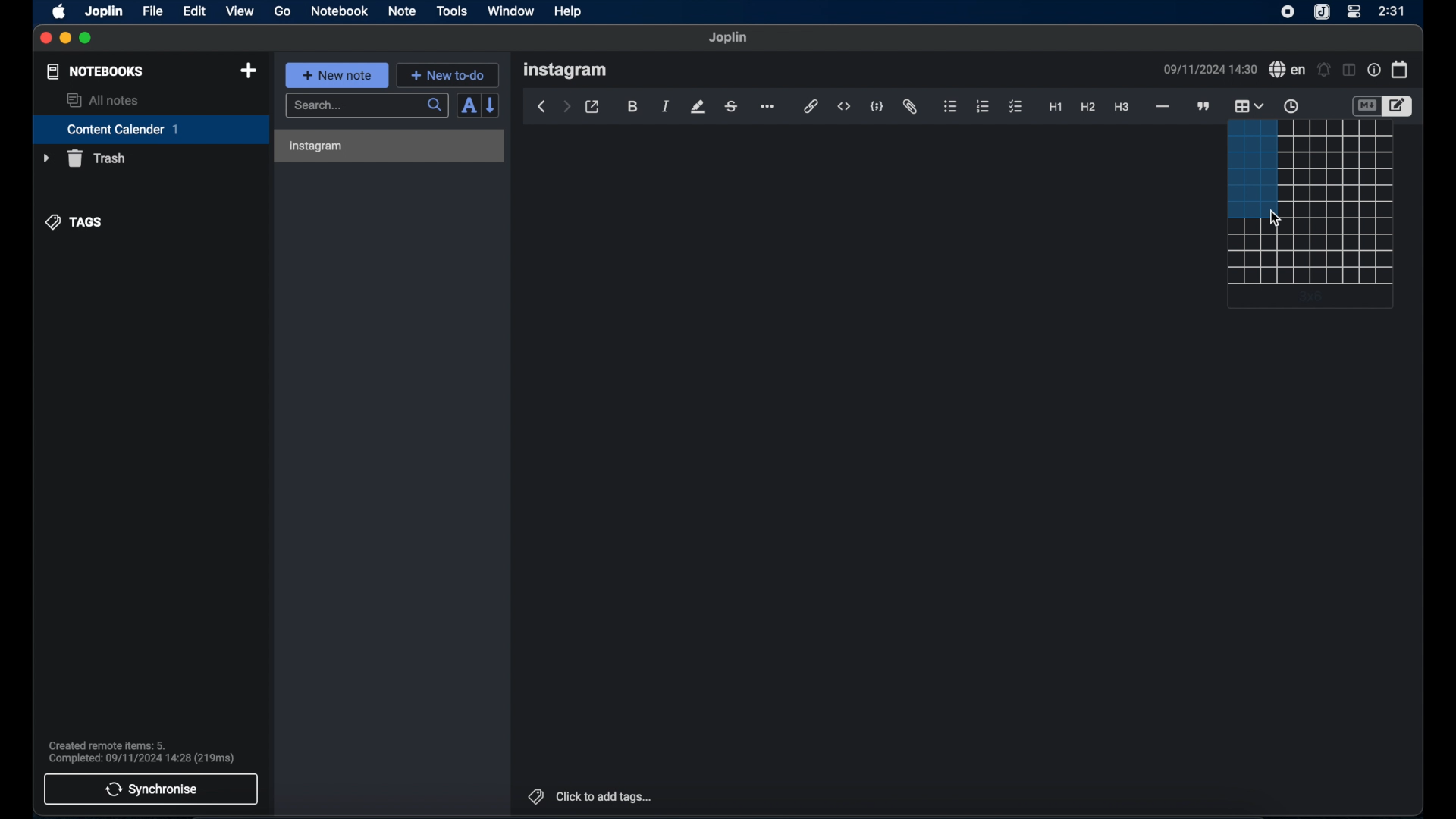  What do you see at coordinates (468, 106) in the screenshot?
I see `toggle sort order field` at bounding box center [468, 106].